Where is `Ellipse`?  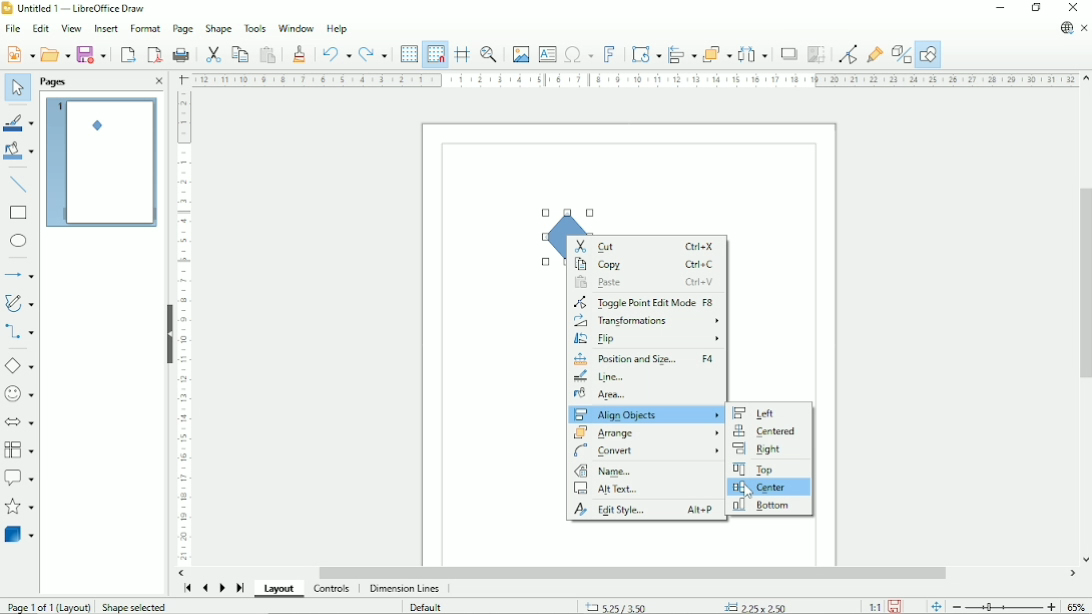
Ellipse is located at coordinates (19, 241).